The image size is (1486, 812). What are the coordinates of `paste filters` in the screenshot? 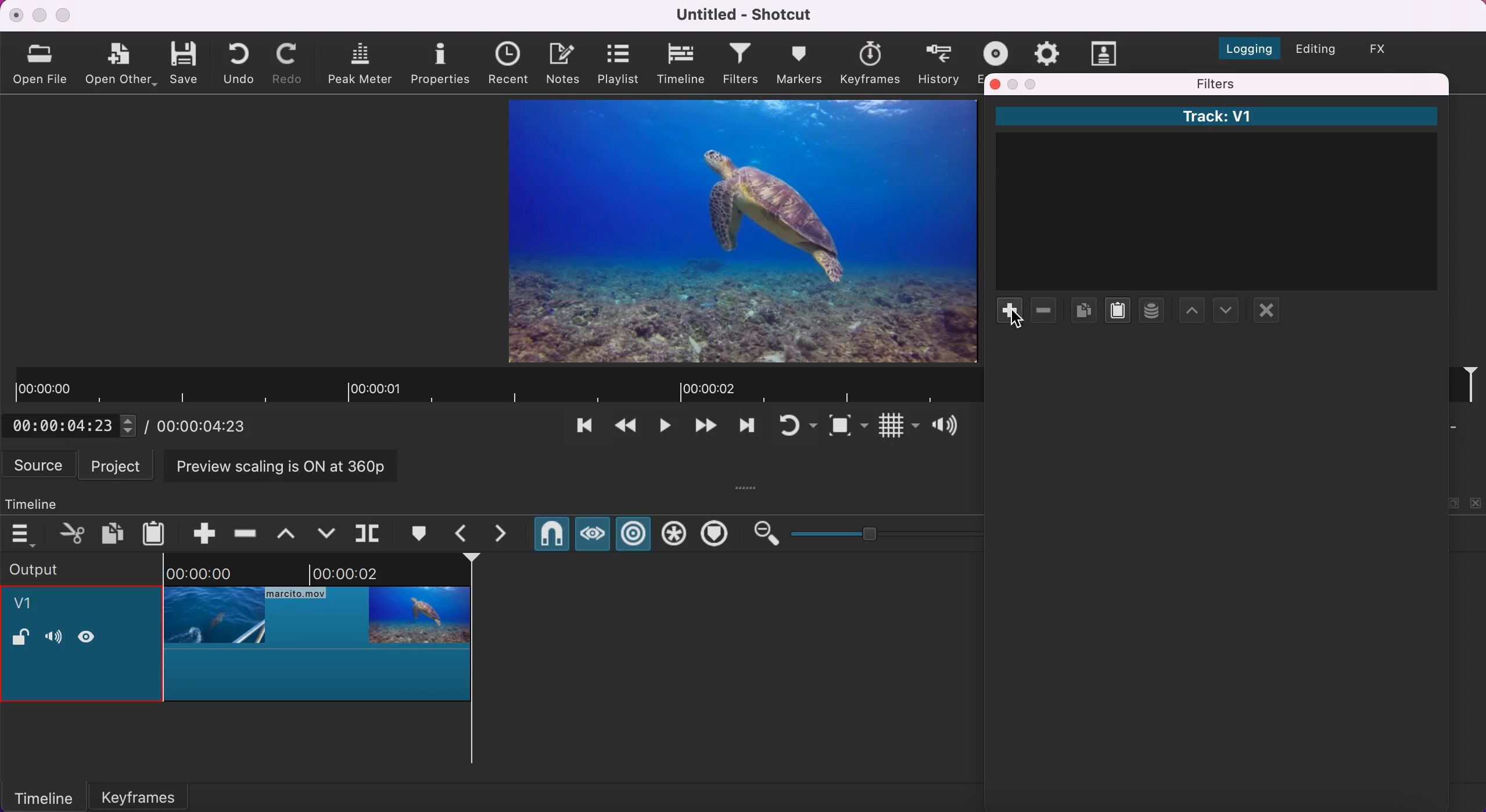 It's located at (1117, 314).